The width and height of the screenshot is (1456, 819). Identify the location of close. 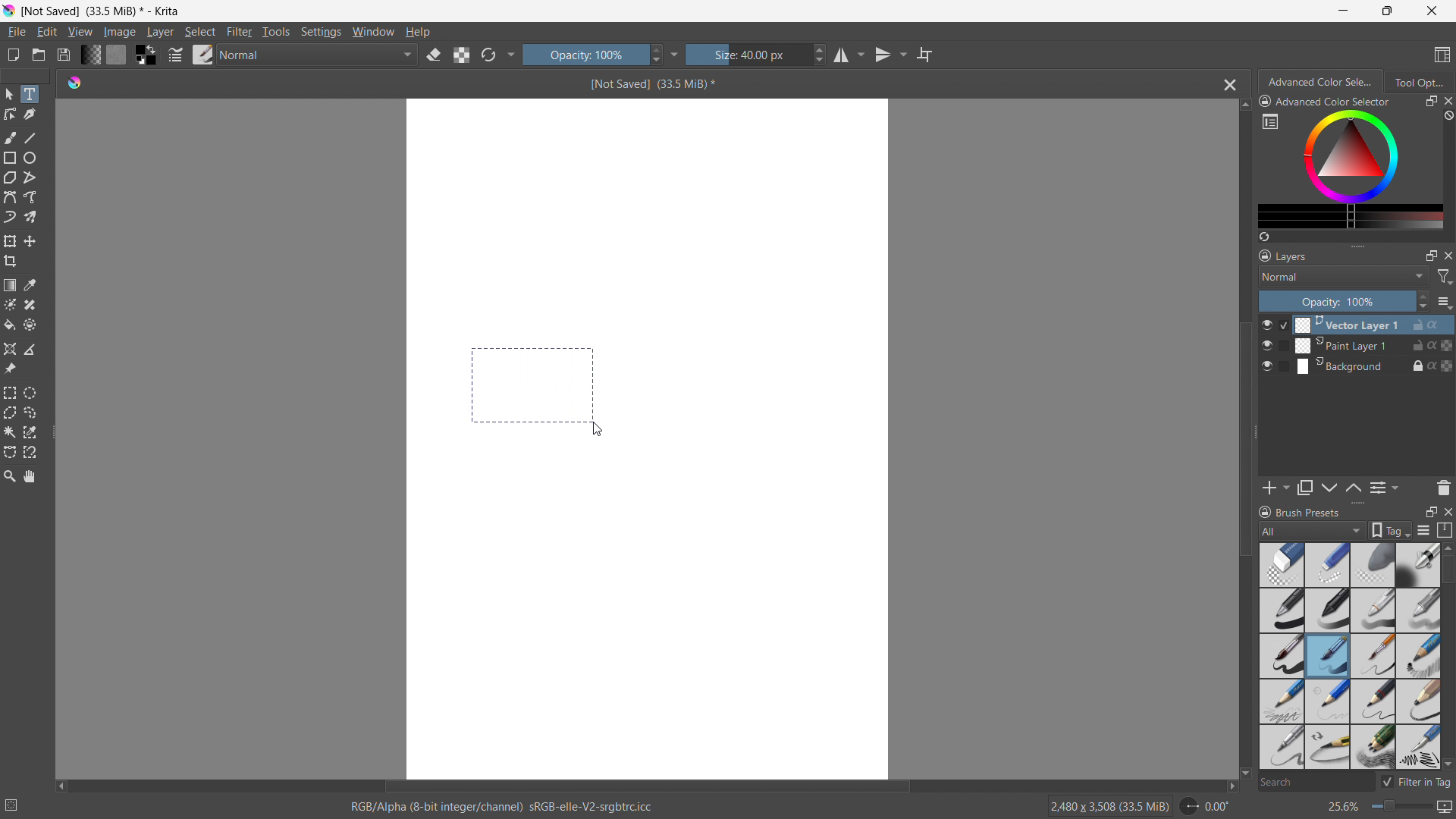
(1432, 11).